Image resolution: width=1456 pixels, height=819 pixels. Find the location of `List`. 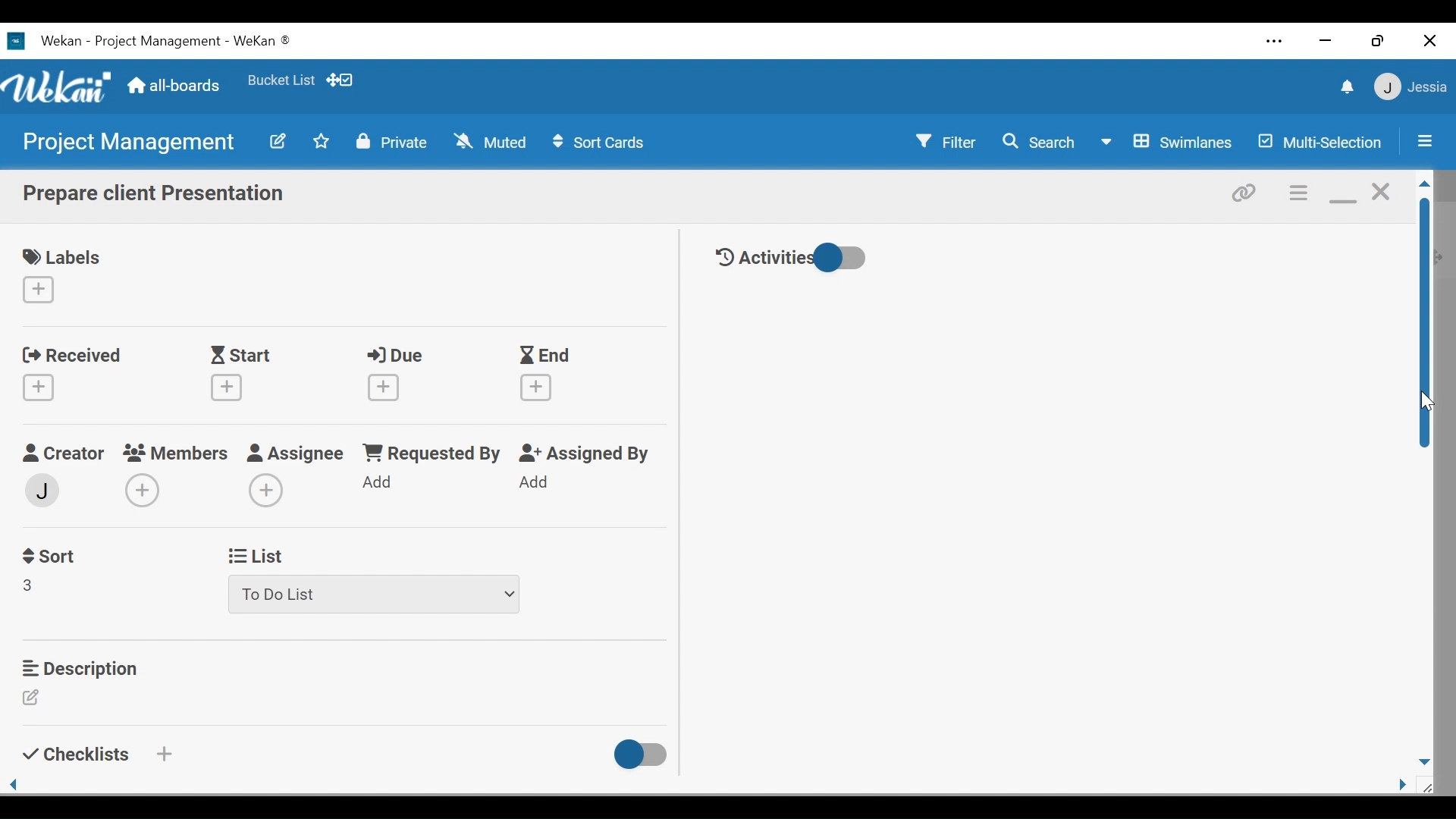

List is located at coordinates (254, 556).